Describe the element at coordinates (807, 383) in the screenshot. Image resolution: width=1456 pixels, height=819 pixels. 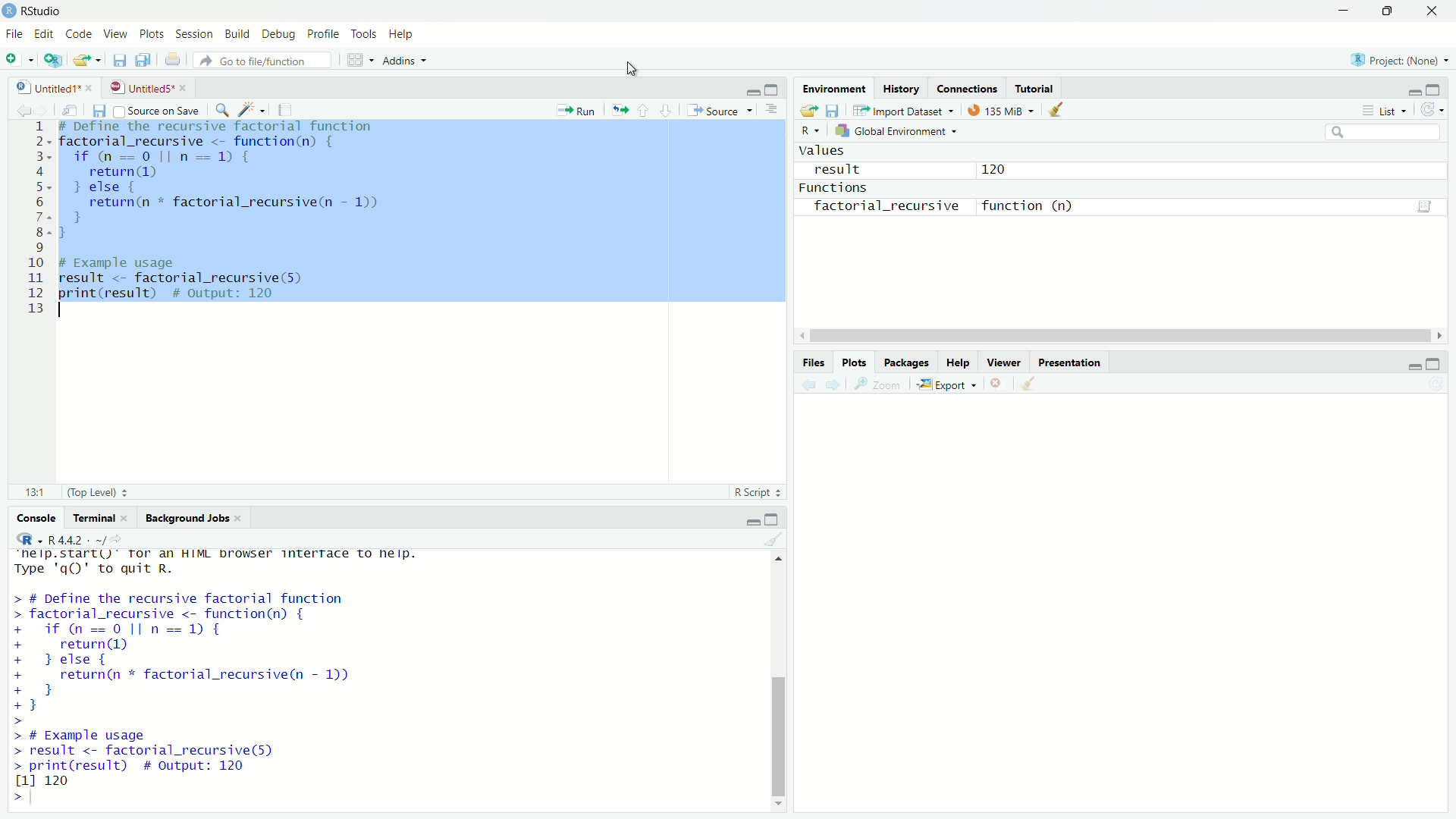
I see `Go back to the previous source location (Ctrl + F9)` at that location.